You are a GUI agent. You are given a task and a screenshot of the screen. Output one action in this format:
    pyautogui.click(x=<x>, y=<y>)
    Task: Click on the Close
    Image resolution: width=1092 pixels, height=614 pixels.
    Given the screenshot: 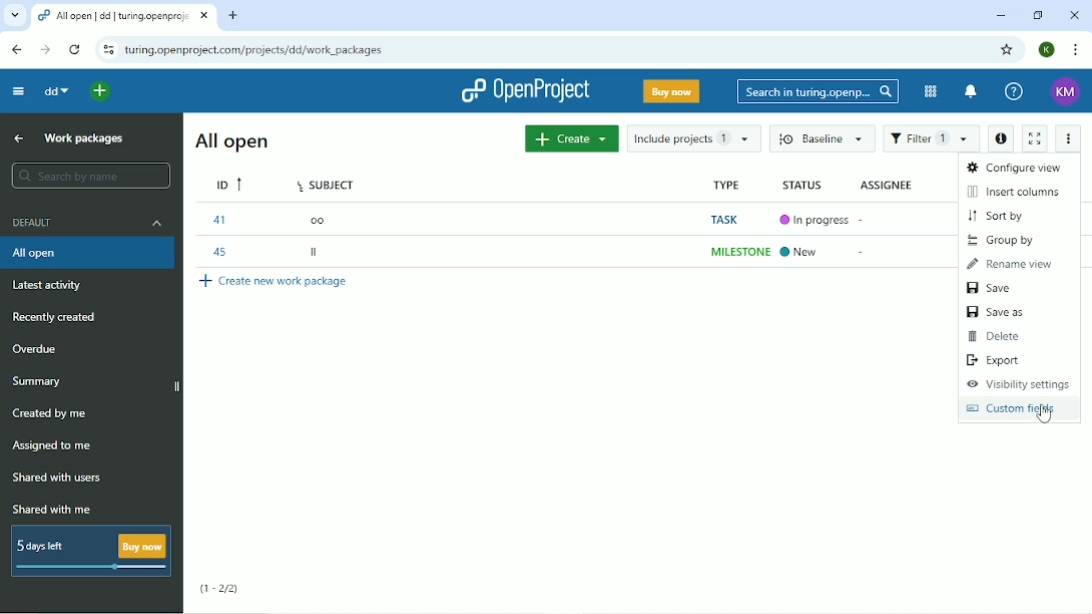 What is the action you would take?
    pyautogui.click(x=1076, y=15)
    